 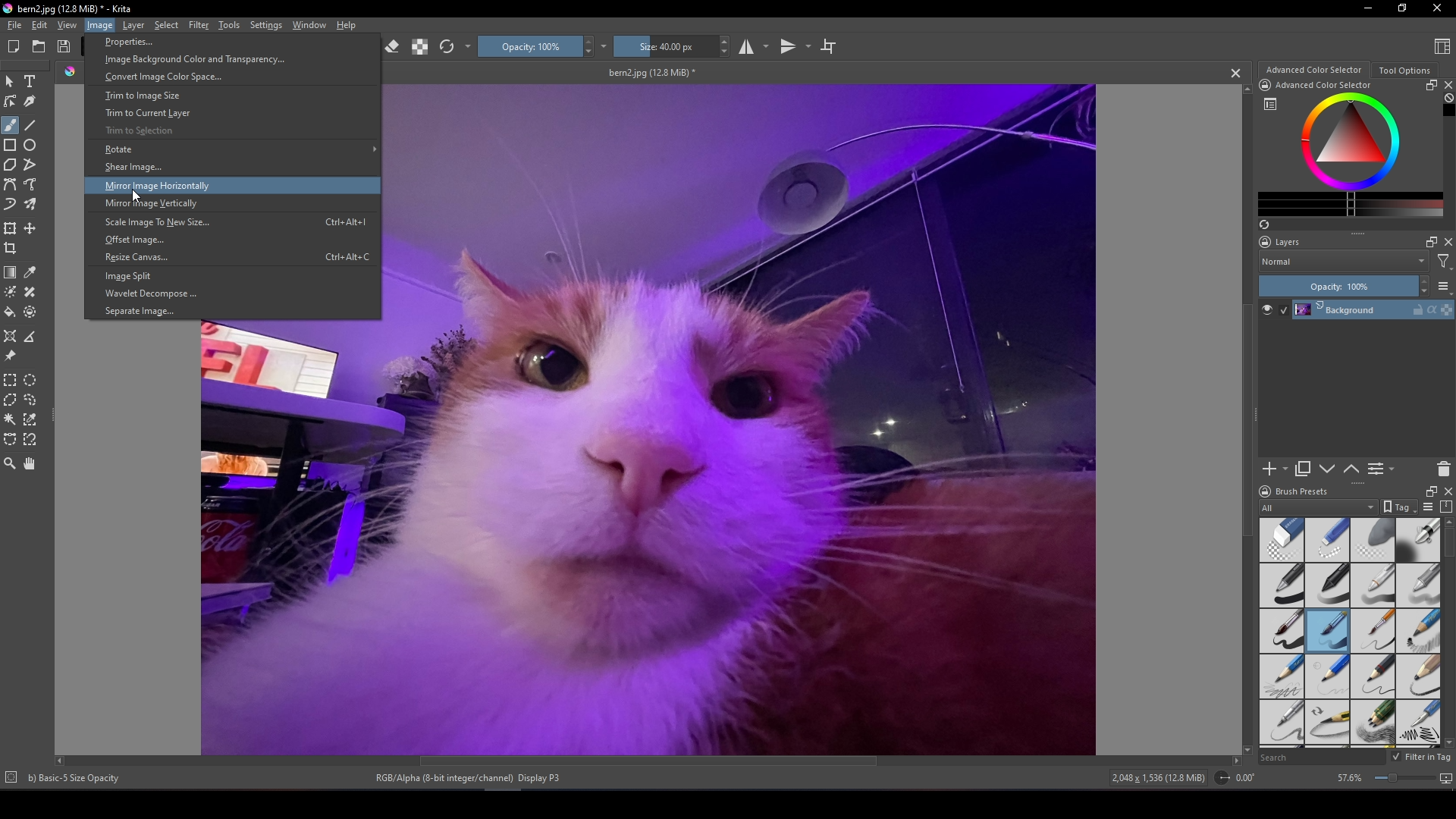 I want to click on View, so click(x=67, y=25).